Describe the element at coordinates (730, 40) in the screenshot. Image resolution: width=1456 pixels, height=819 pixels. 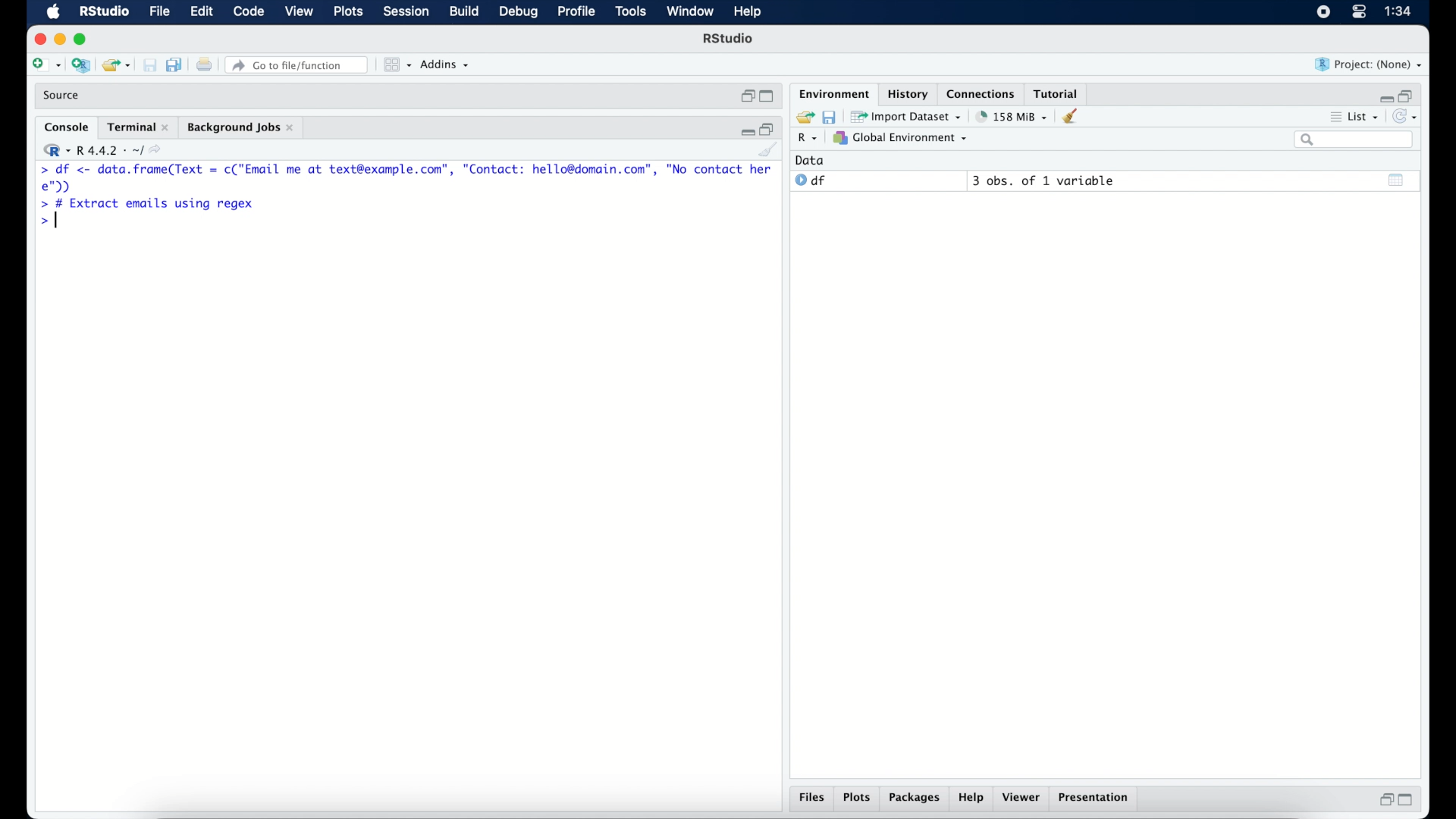
I see `R Studio` at that location.